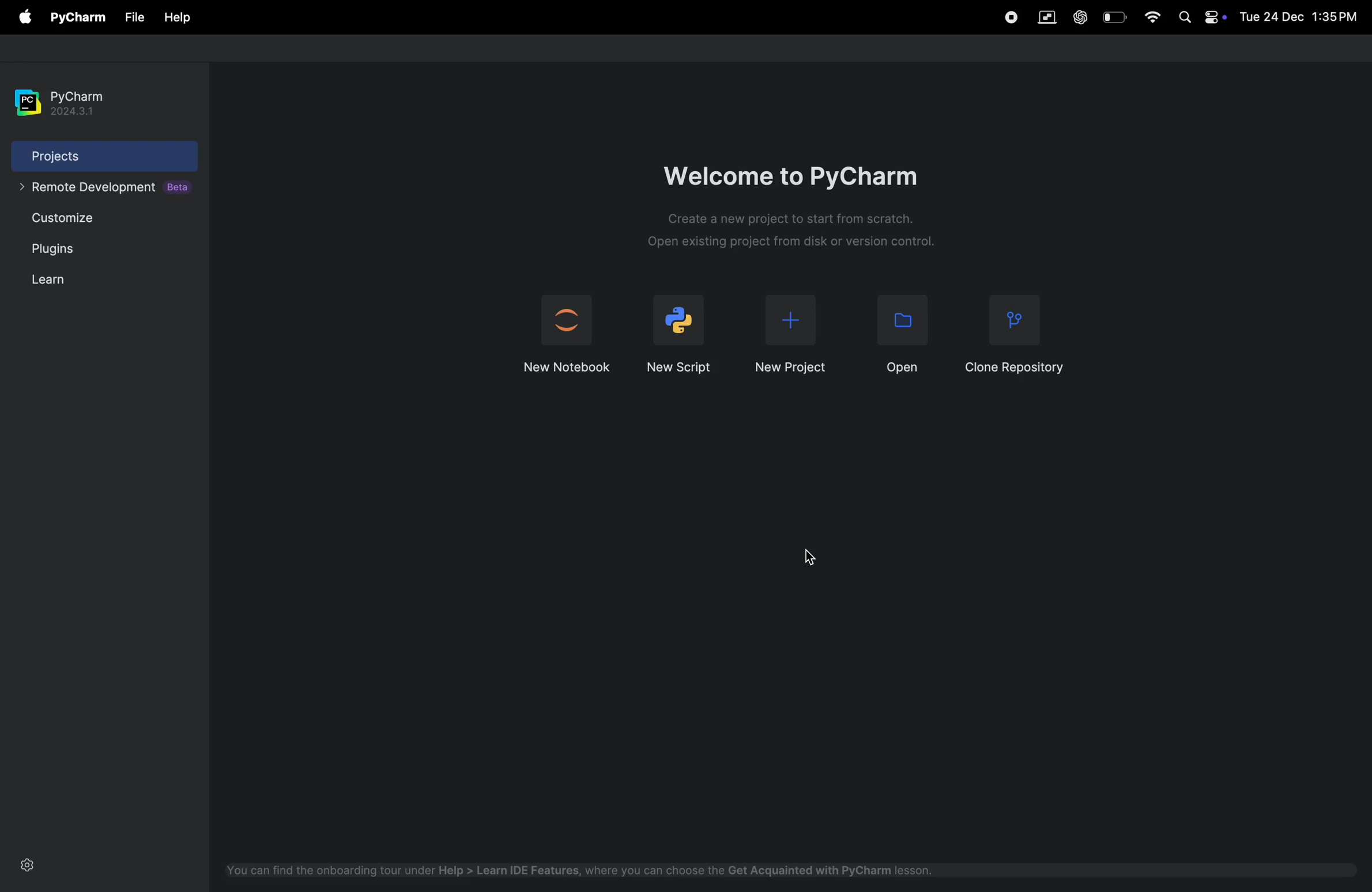  What do you see at coordinates (581, 872) in the screenshot?
I see `onboard tool help` at bounding box center [581, 872].